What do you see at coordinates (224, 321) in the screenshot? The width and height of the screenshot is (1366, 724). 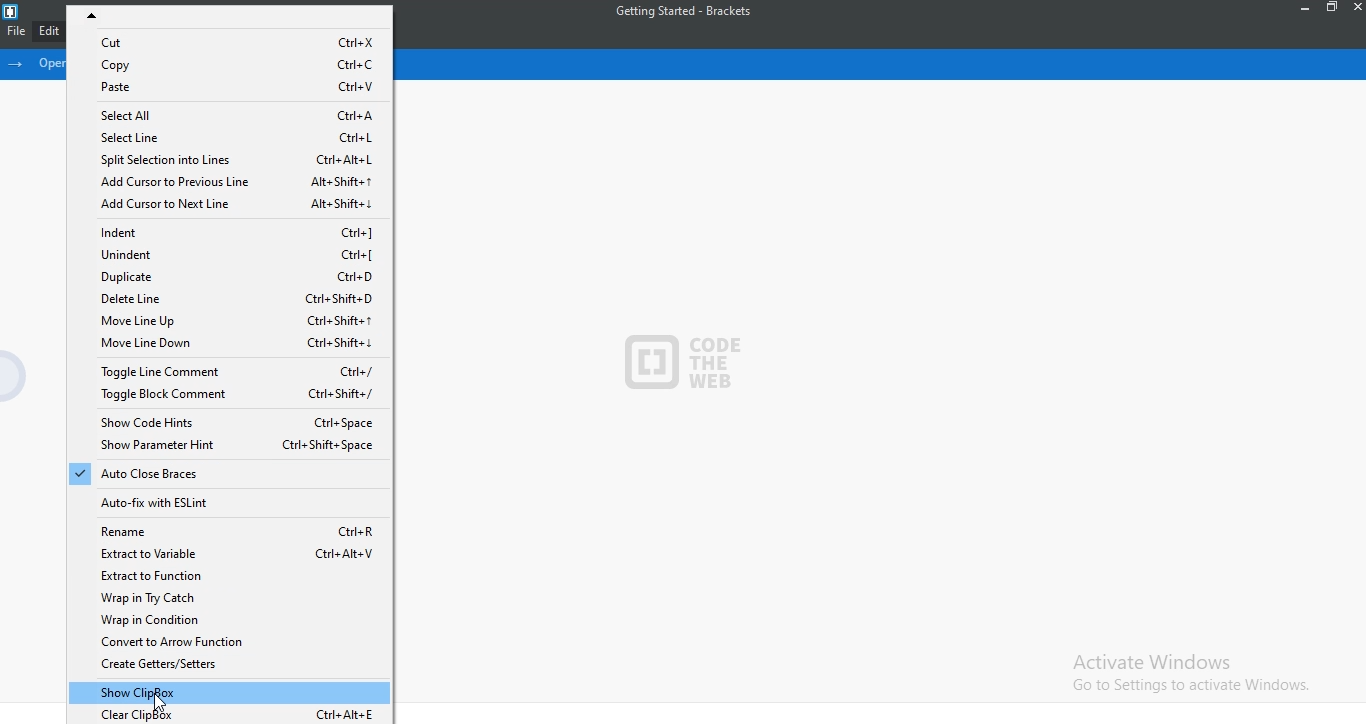 I see `Move Lines Up` at bounding box center [224, 321].